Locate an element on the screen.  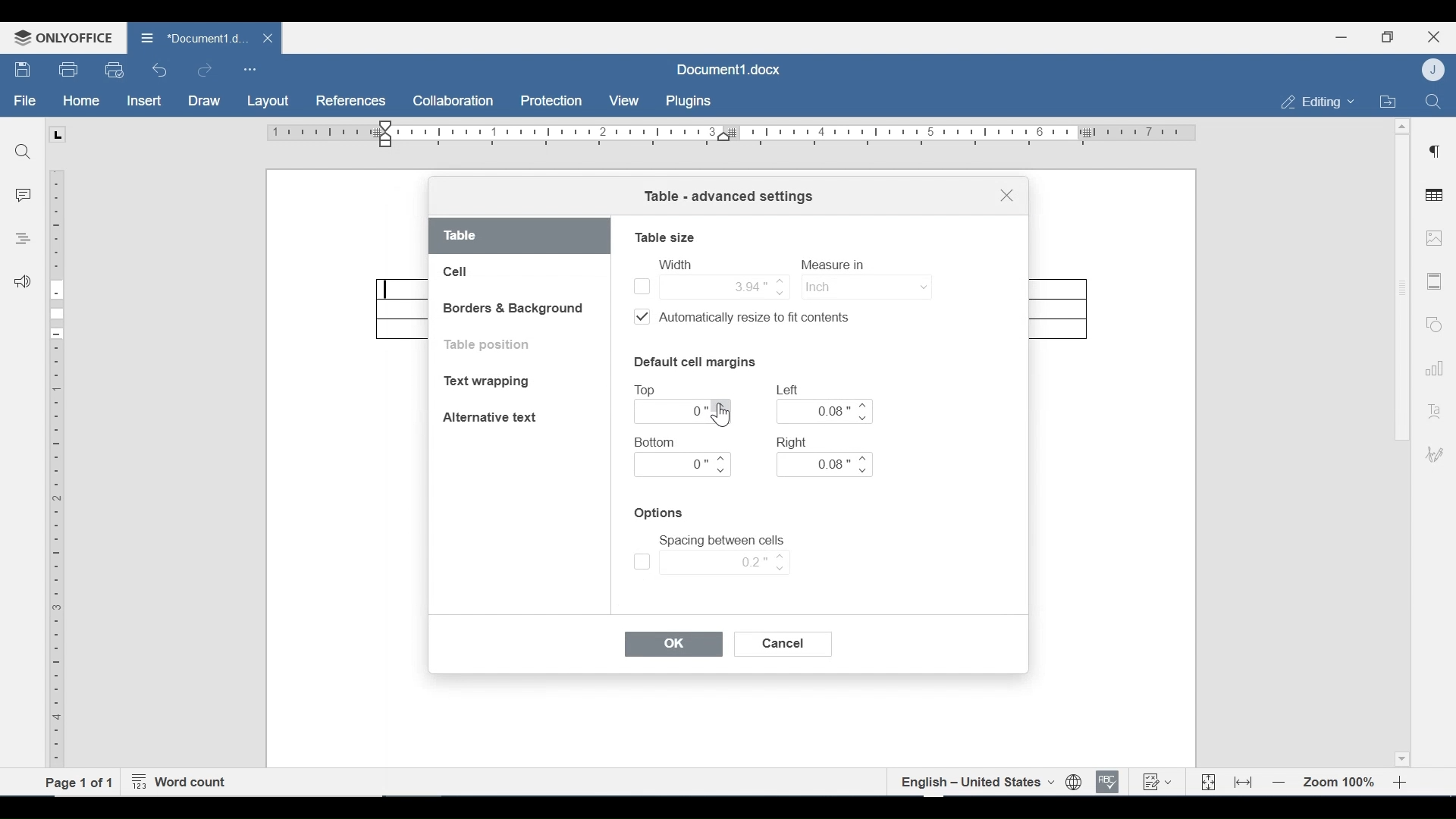
close is located at coordinates (270, 37).